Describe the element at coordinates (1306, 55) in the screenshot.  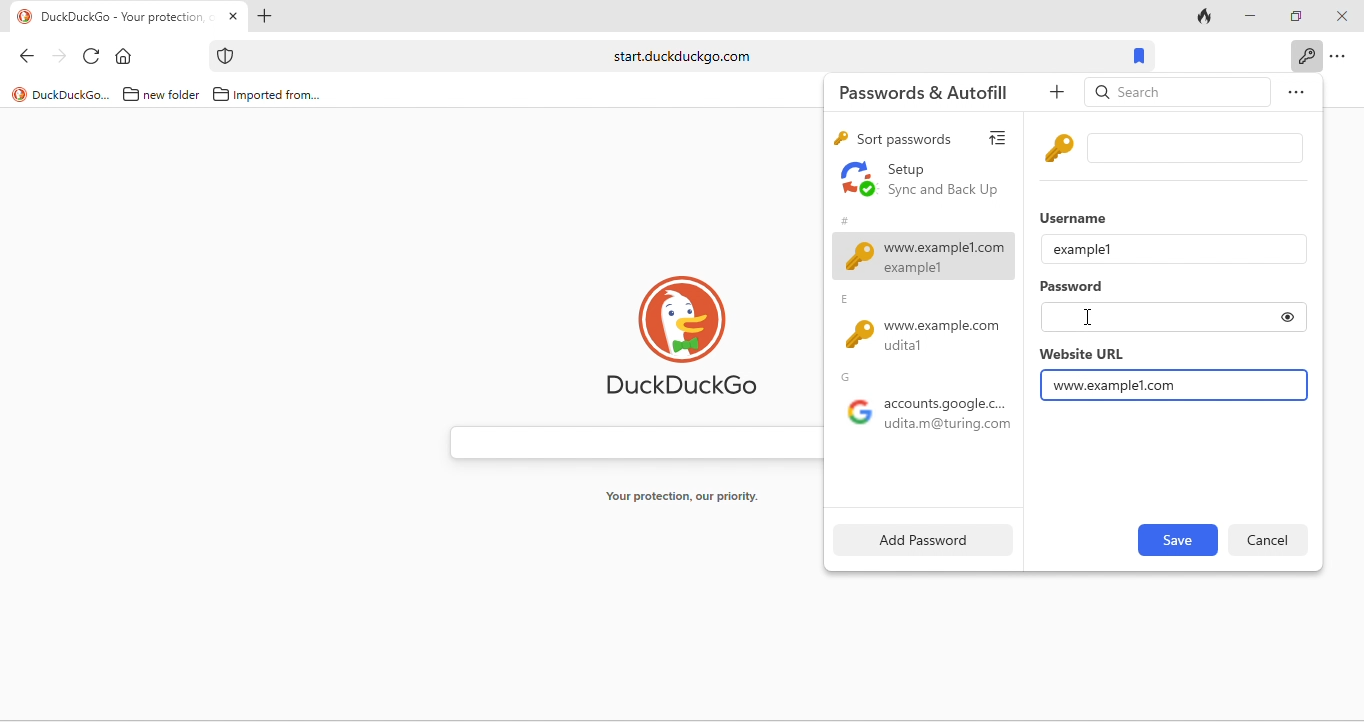
I see `key icon to show passwords and auto fills when clicked` at that location.